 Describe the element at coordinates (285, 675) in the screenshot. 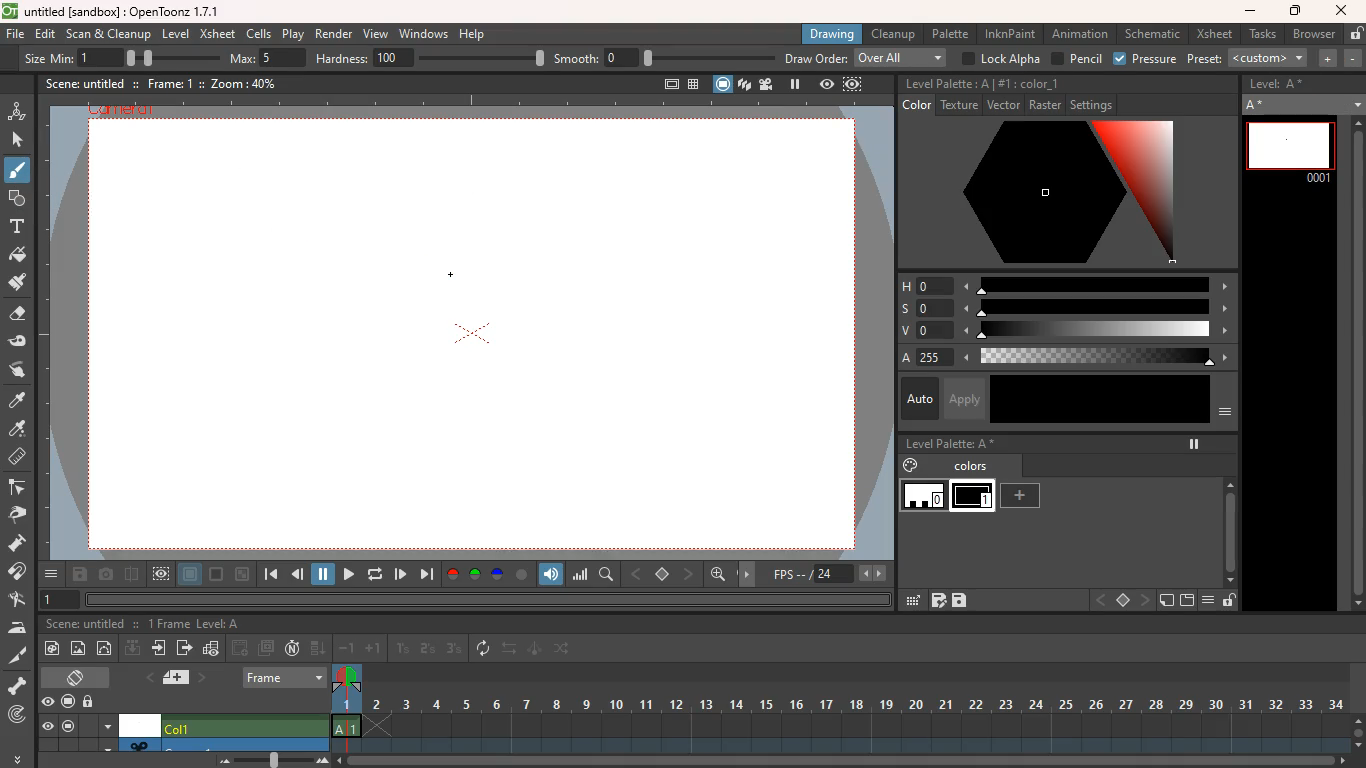

I see `frame` at that location.